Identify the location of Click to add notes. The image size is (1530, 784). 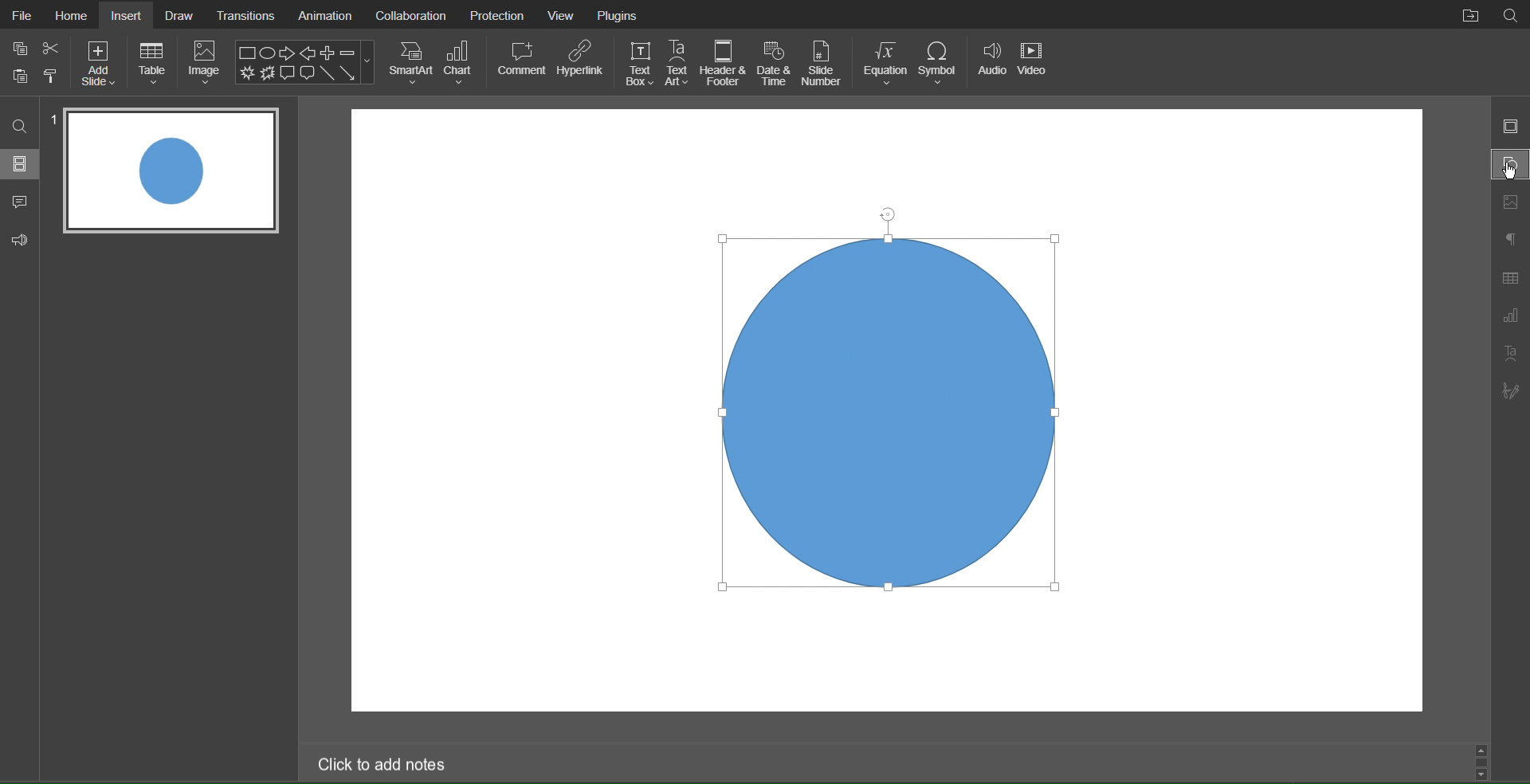
(383, 763).